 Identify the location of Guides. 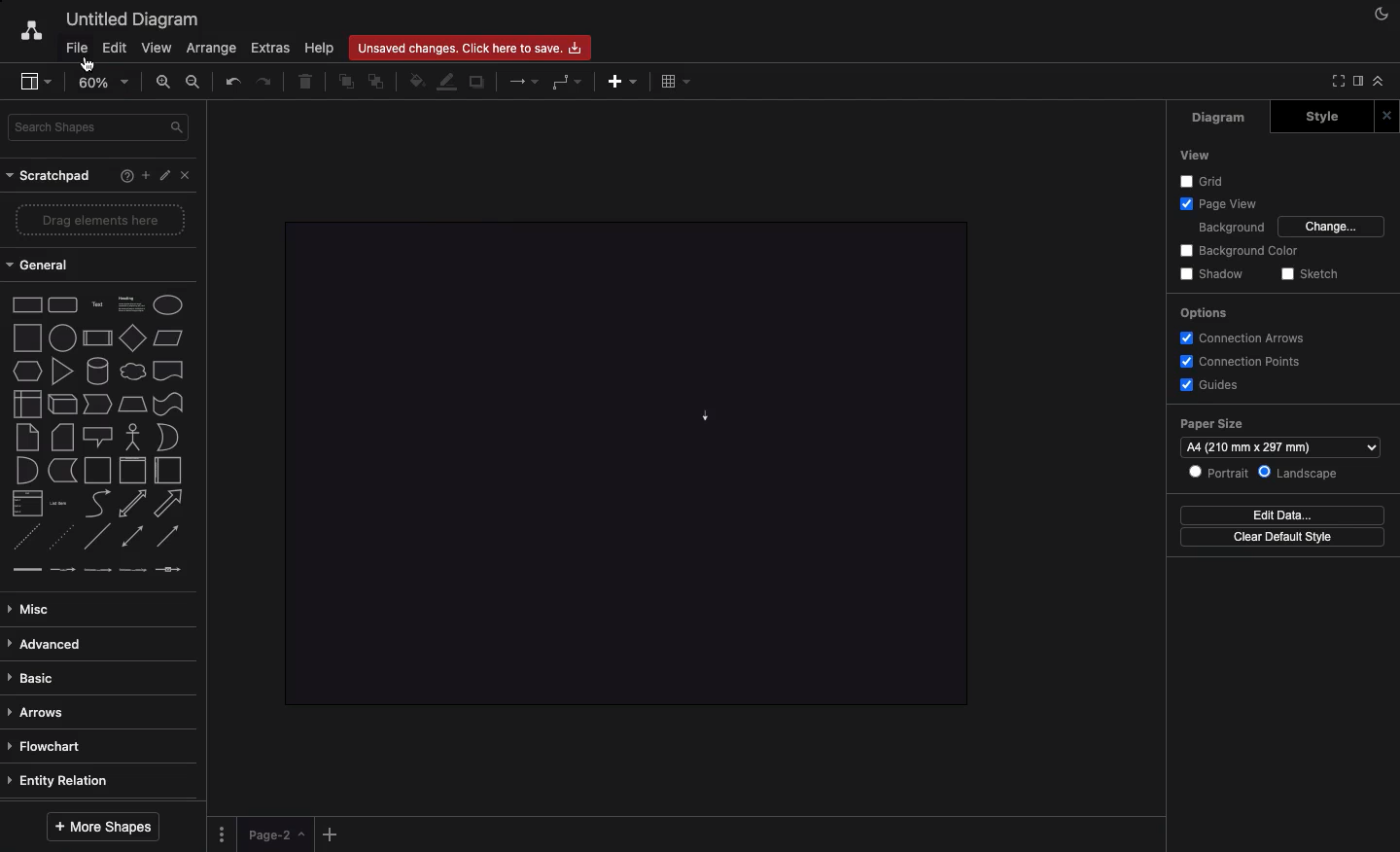
(1207, 383).